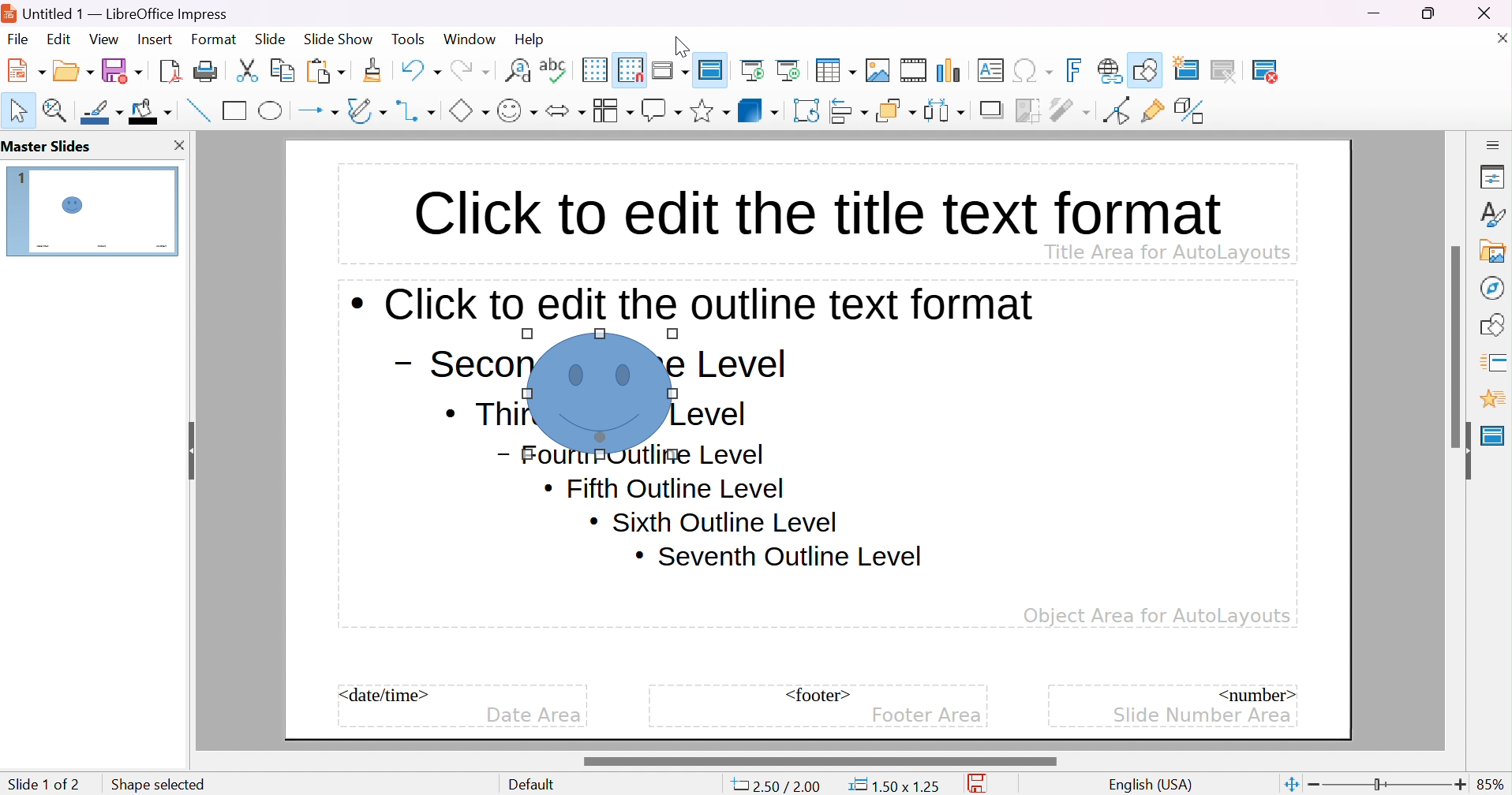 This screenshot has height=795, width=1512. What do you see at coordinates (518, 69) in the screenshot?
I see `find and replace` at bounding box center [518, 69].